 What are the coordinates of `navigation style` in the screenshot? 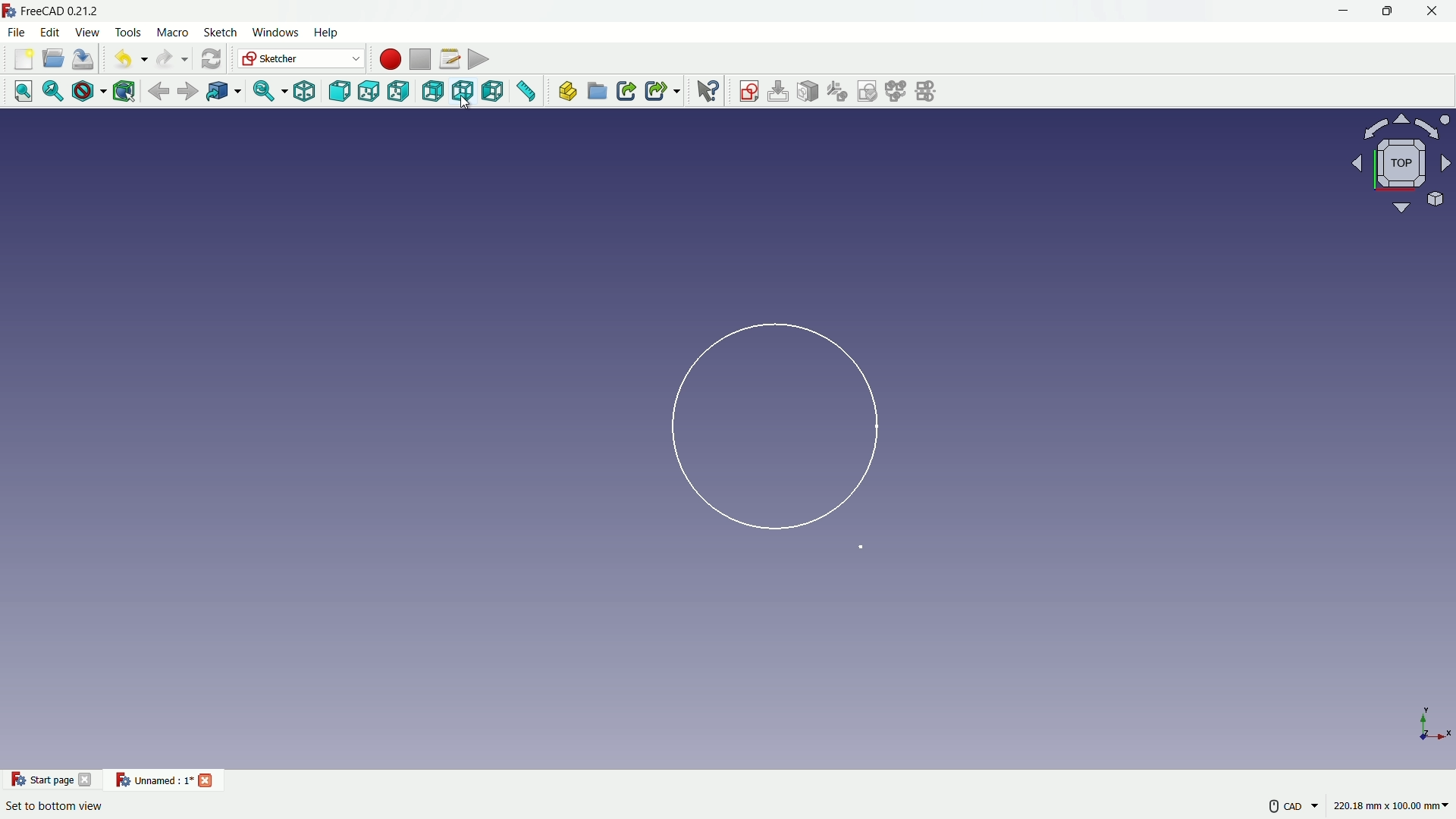 It's located at (1278, 808).